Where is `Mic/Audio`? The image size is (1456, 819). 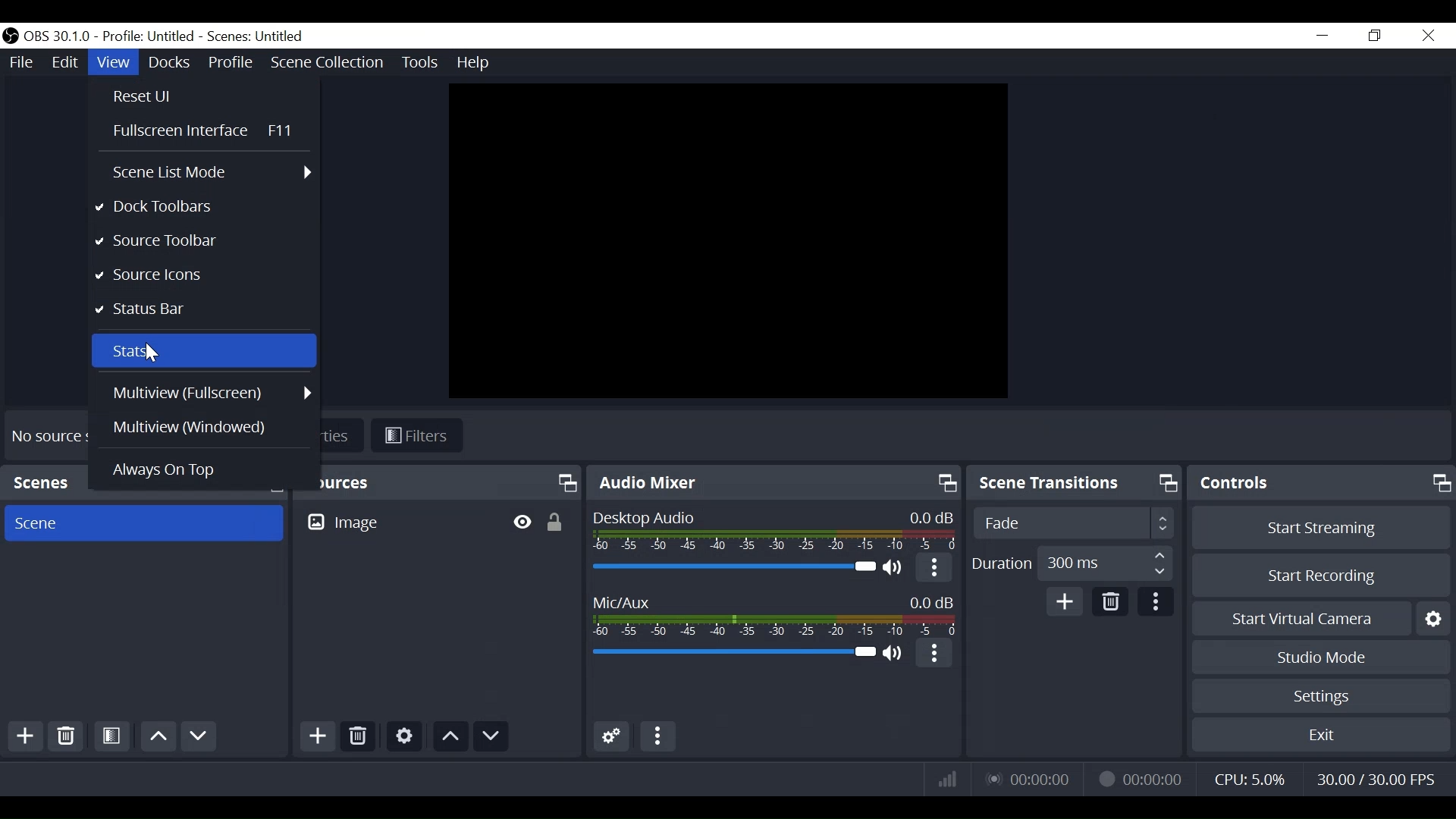
Mic/Audio is located at coordinates (735, 654).